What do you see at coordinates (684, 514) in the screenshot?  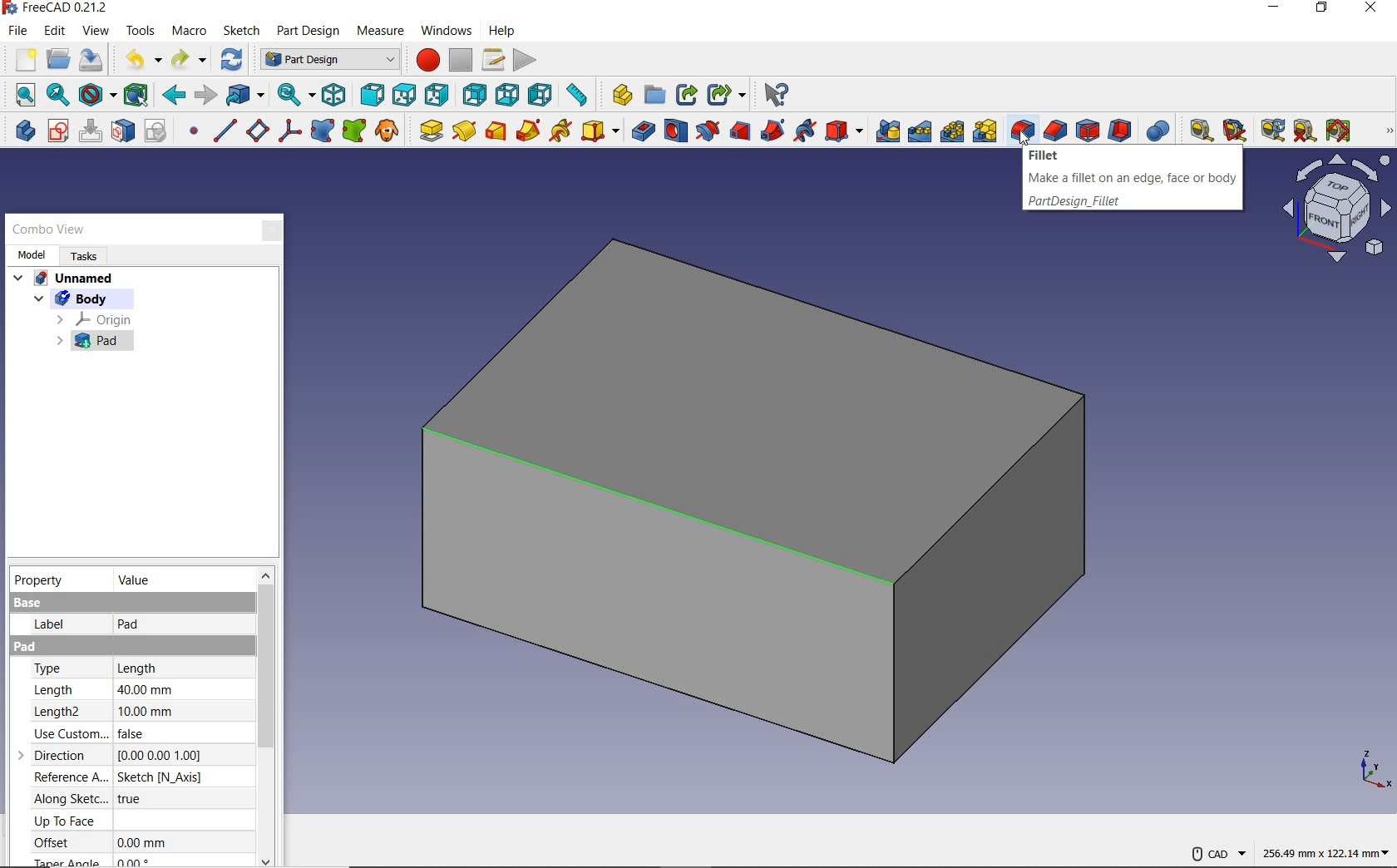 I see `selected edge` at bounding box center [684, 514].